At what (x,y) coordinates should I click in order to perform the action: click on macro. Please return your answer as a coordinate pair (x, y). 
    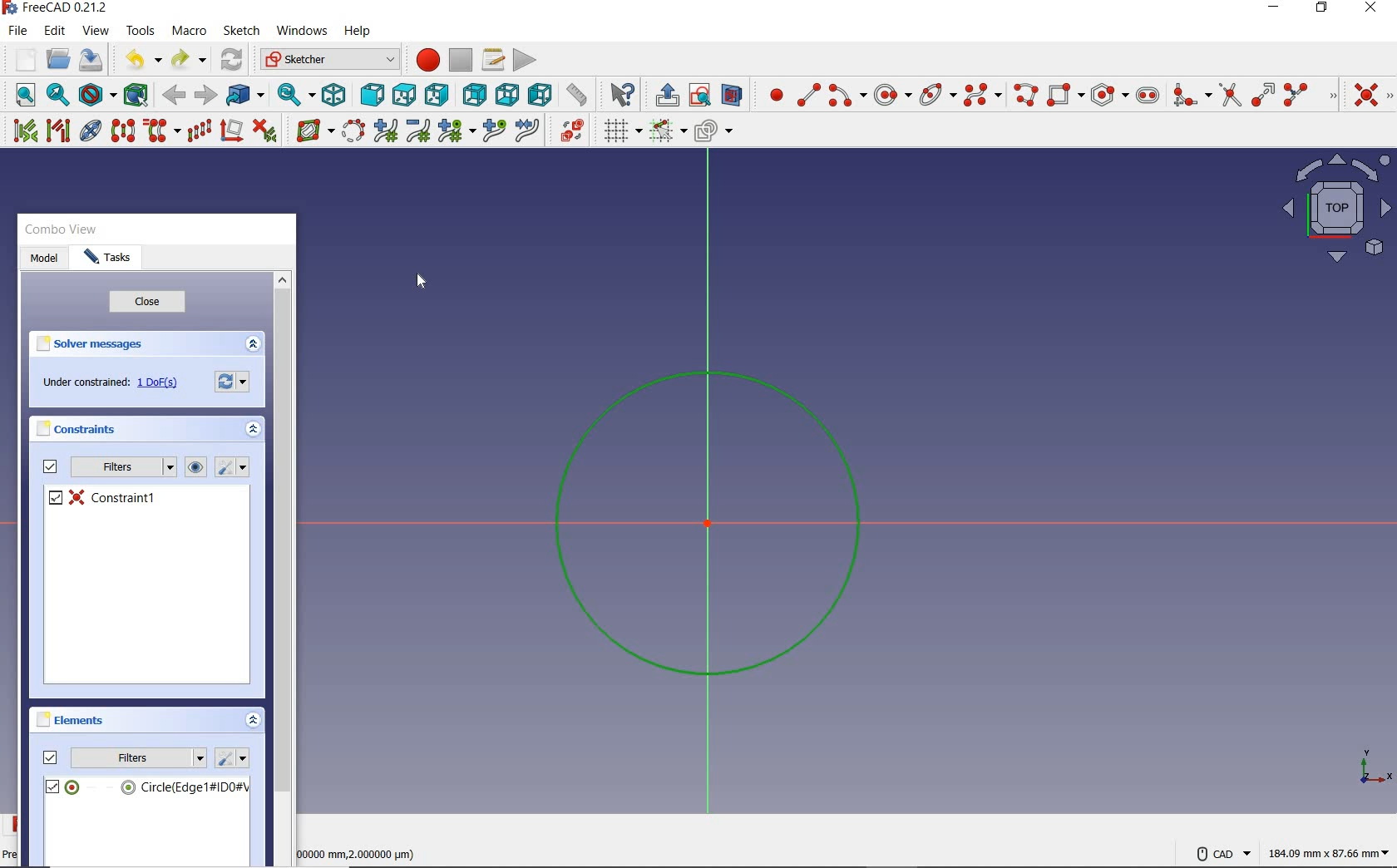
    Looking at the image, I should click on (189, 31).